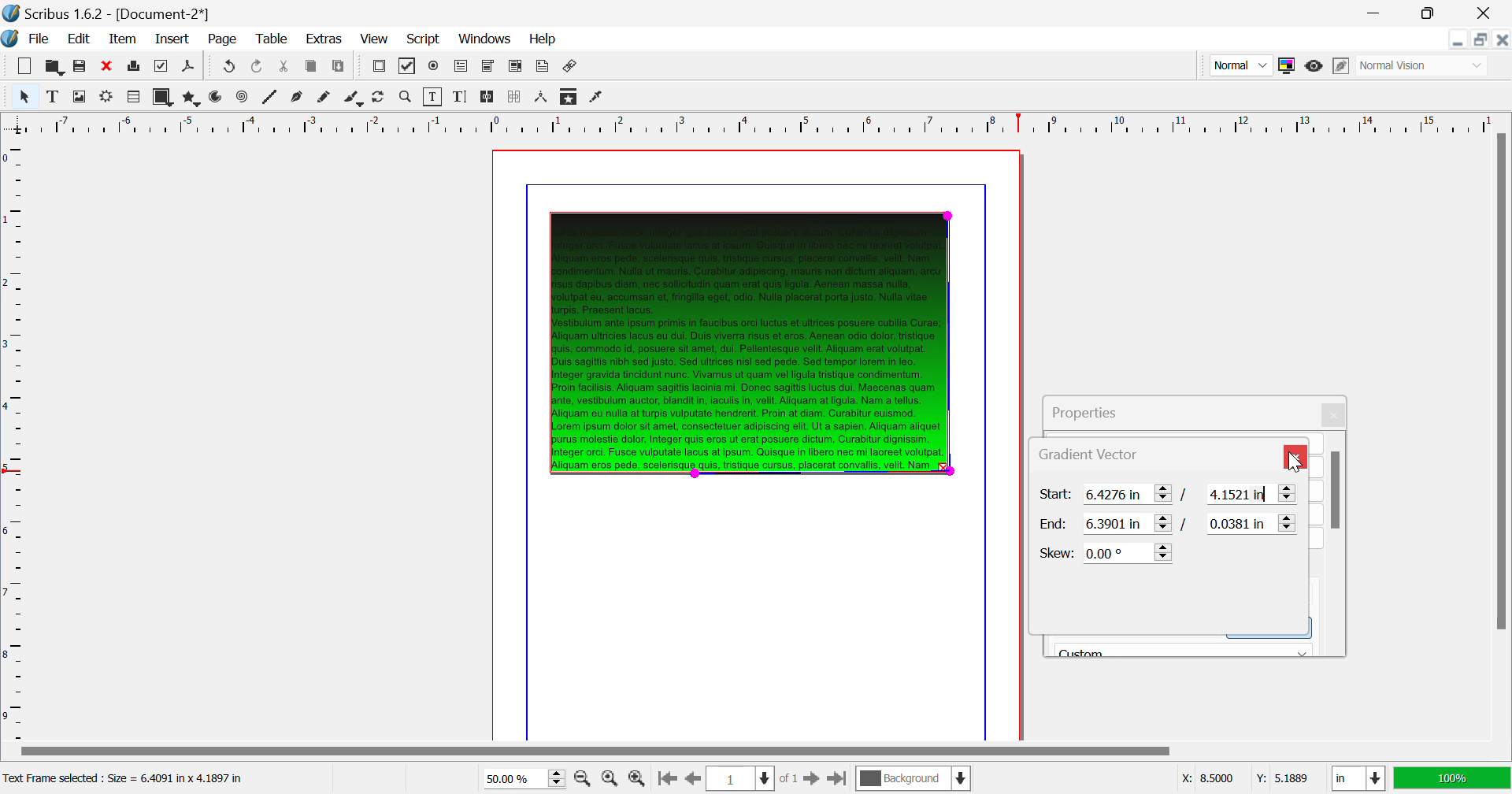 The image size is (1512, 794). I want to click on Edit, so click(76, 39).